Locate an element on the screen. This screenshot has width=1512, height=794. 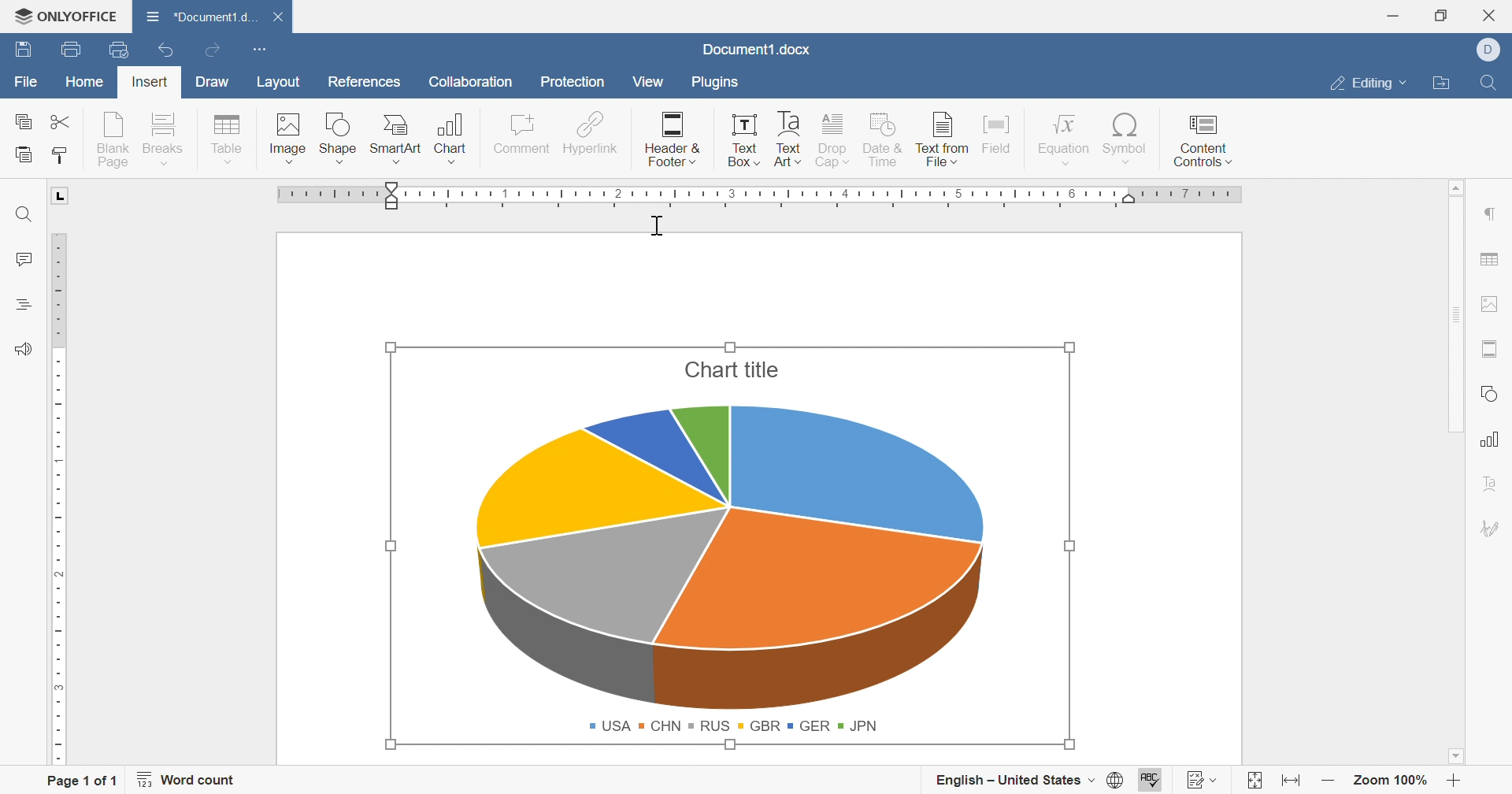
Open File location is located at coordinates (1444, 83).